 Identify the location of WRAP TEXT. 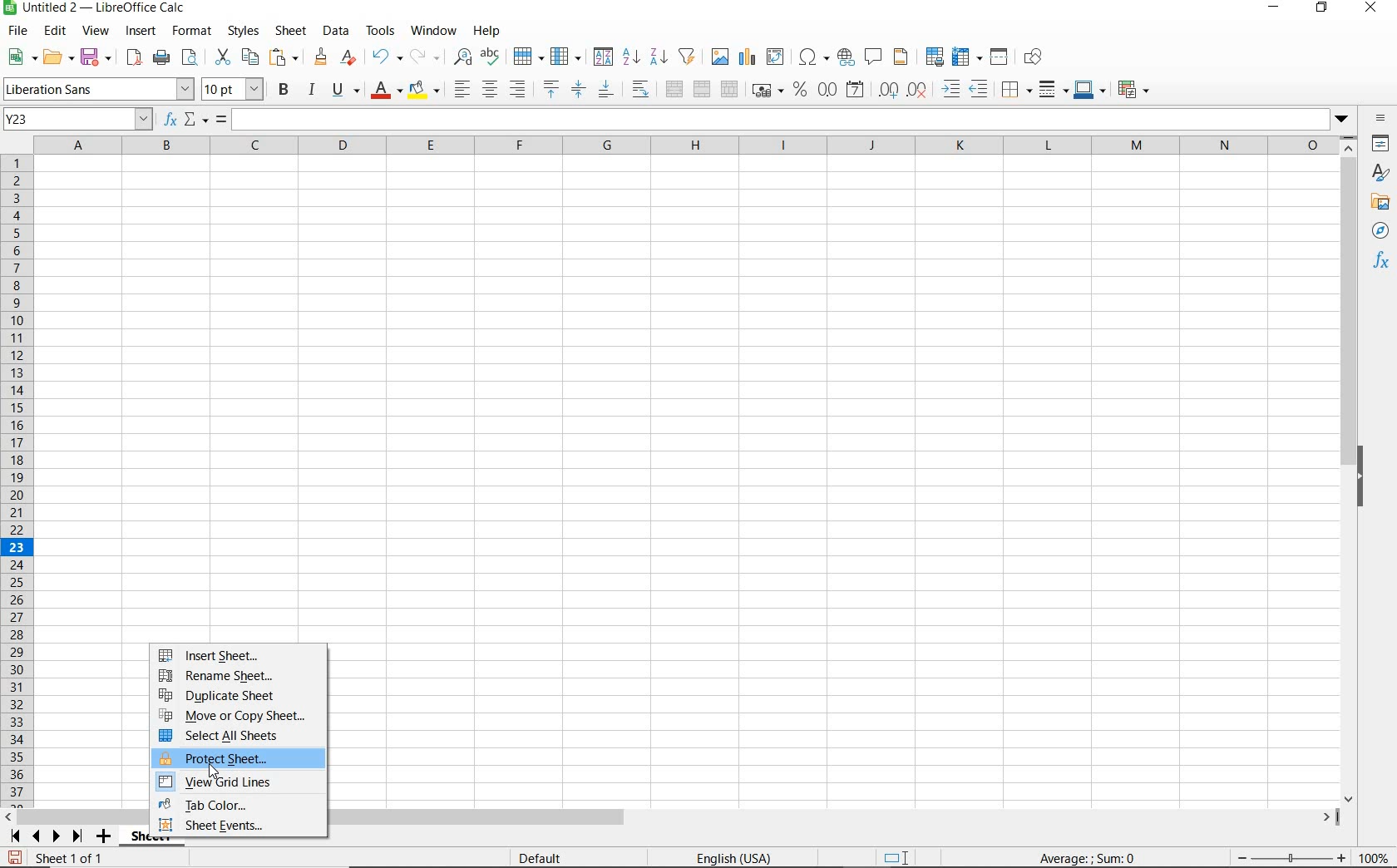
(640, 90).